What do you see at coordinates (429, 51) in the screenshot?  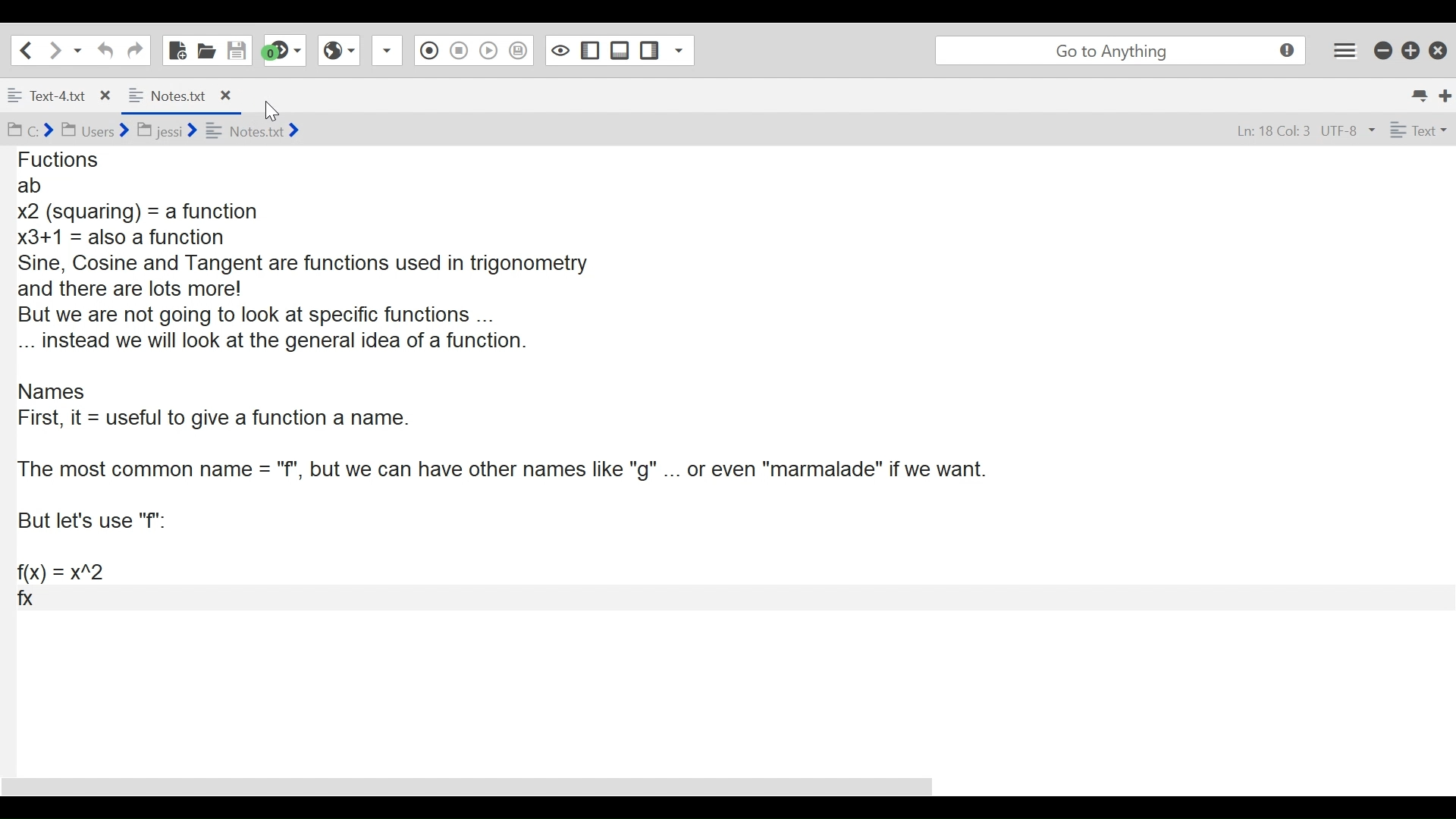 I see `Recording in Macro` at bounding box center [429, 51].